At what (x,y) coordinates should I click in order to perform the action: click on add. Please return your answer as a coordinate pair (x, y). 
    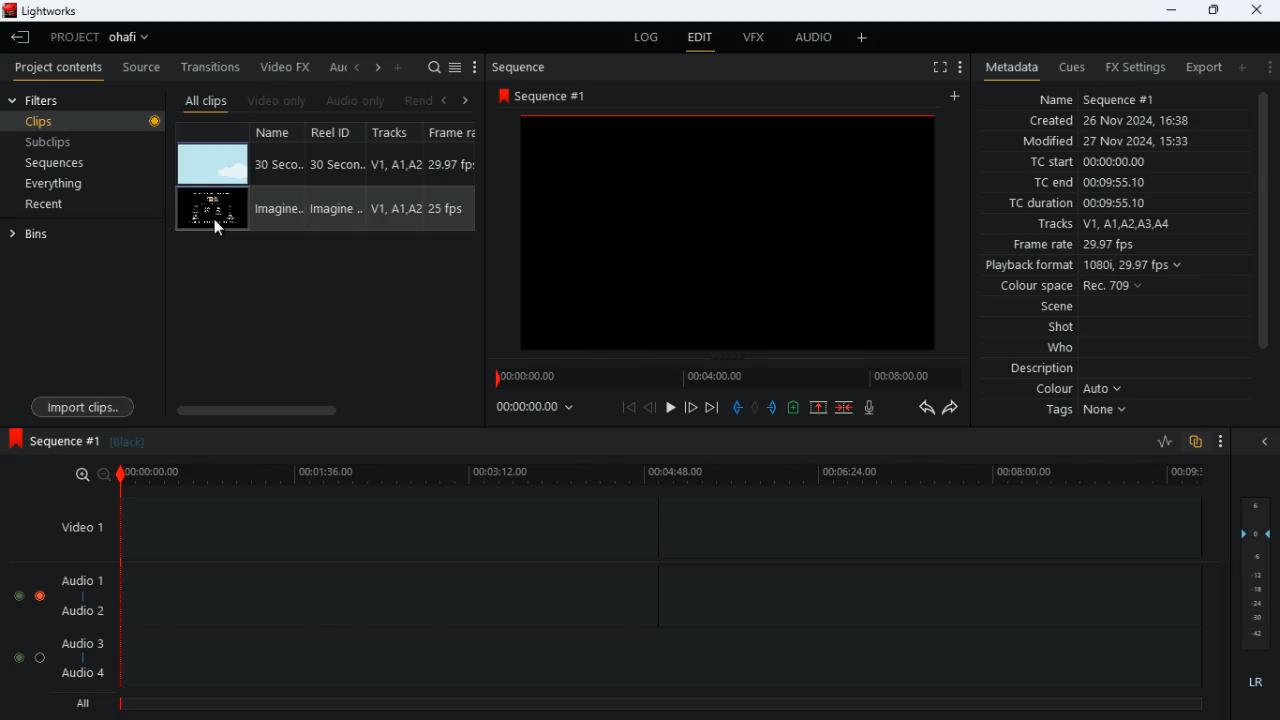
    Looking at the image, I should click on (402, 67).